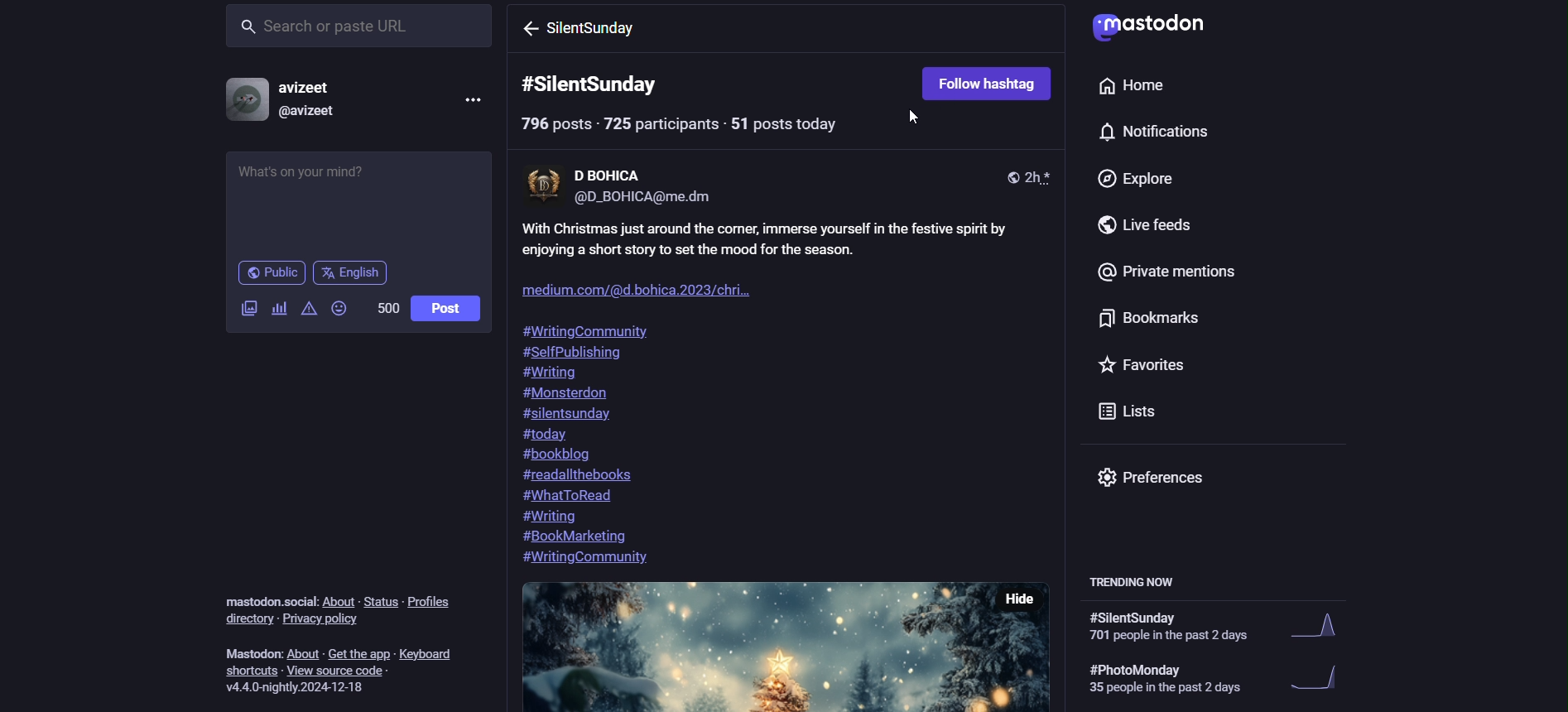  Describe the element at coordinates (1128, 410) in the screenshot. I see `Lists` at that location.